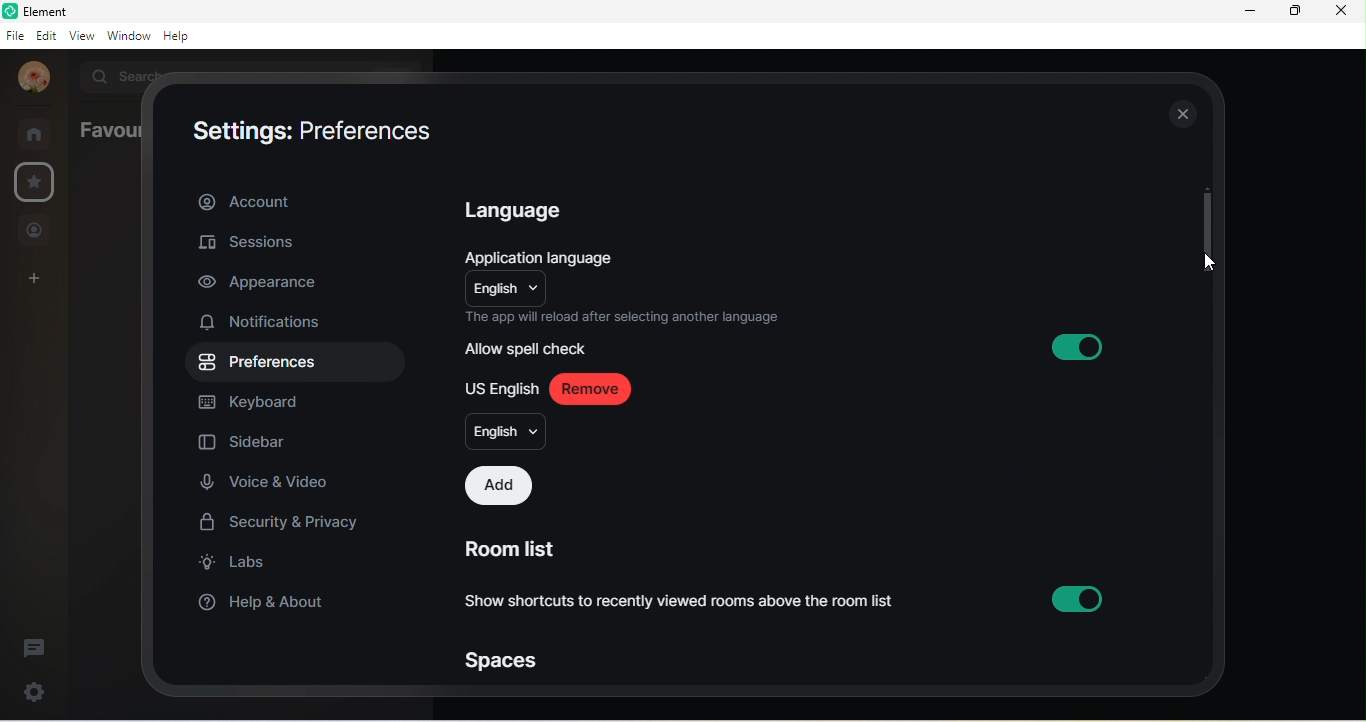  What do you see at coordinates (35, 282) in the screenshot?
I see `add space` at bounding box center [35, 282].